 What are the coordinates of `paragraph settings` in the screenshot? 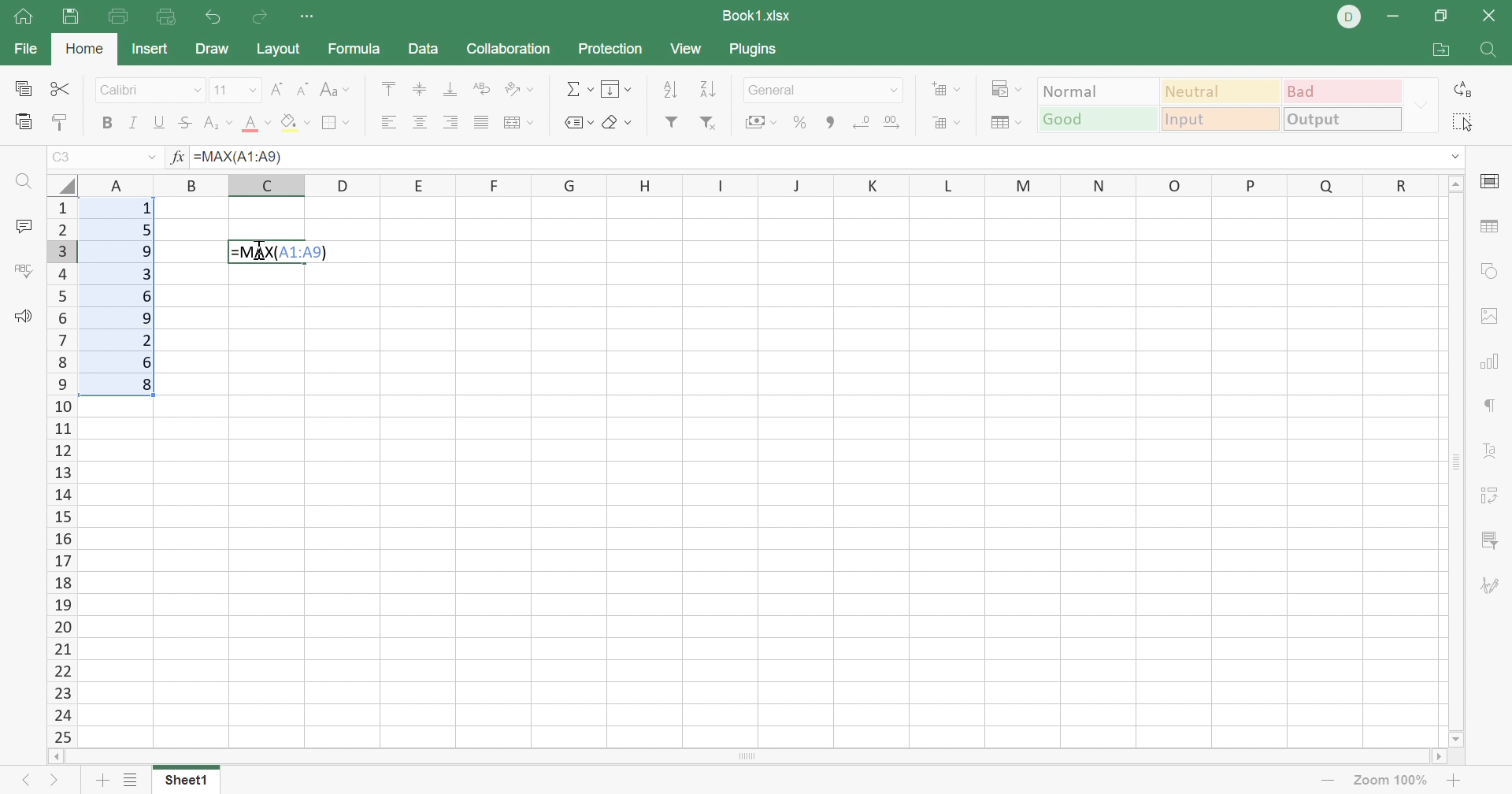 It's located at (1488, 405).